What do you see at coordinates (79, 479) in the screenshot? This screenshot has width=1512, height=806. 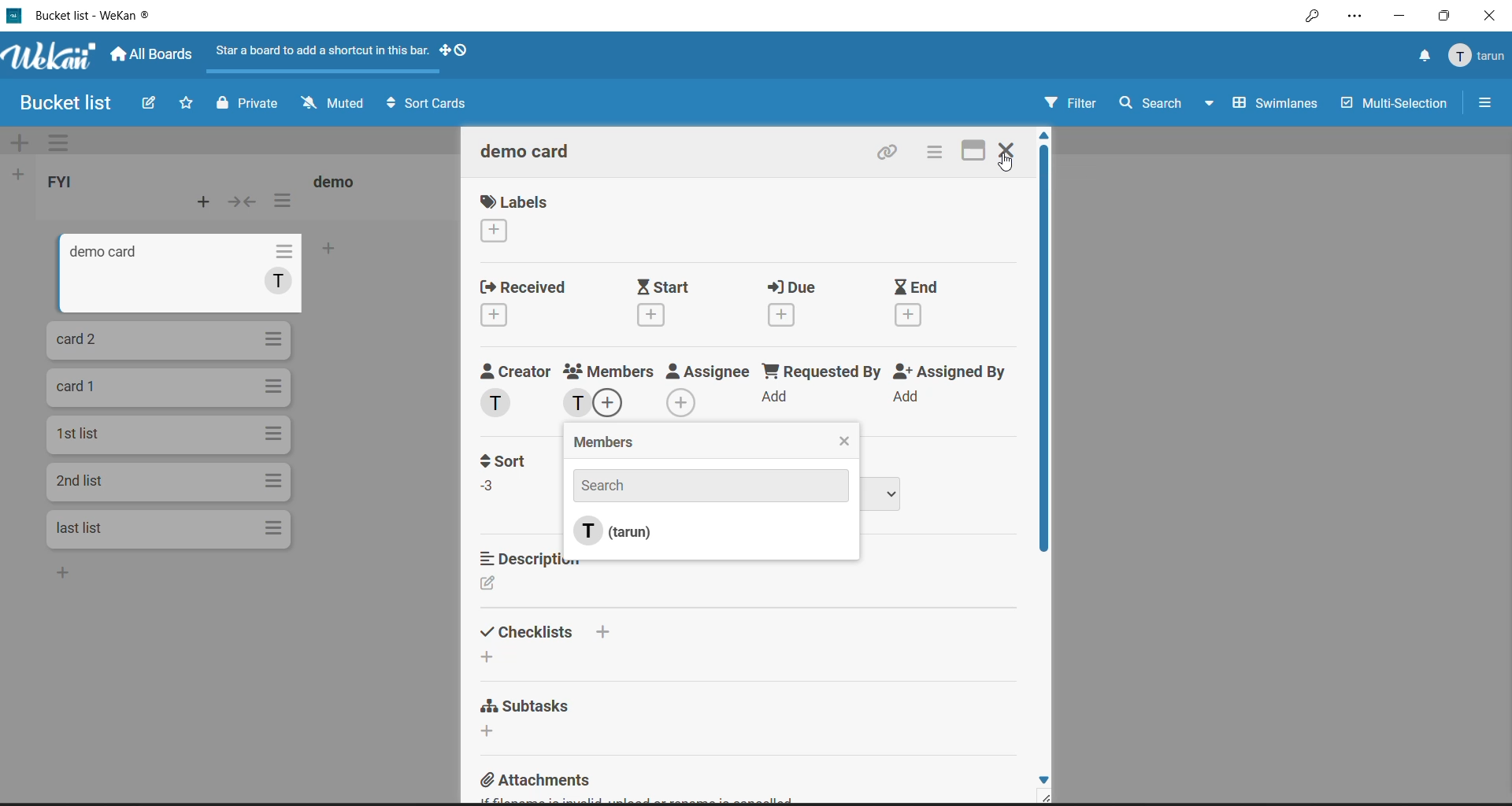 I see `card title` at bounding box center [79, 479].